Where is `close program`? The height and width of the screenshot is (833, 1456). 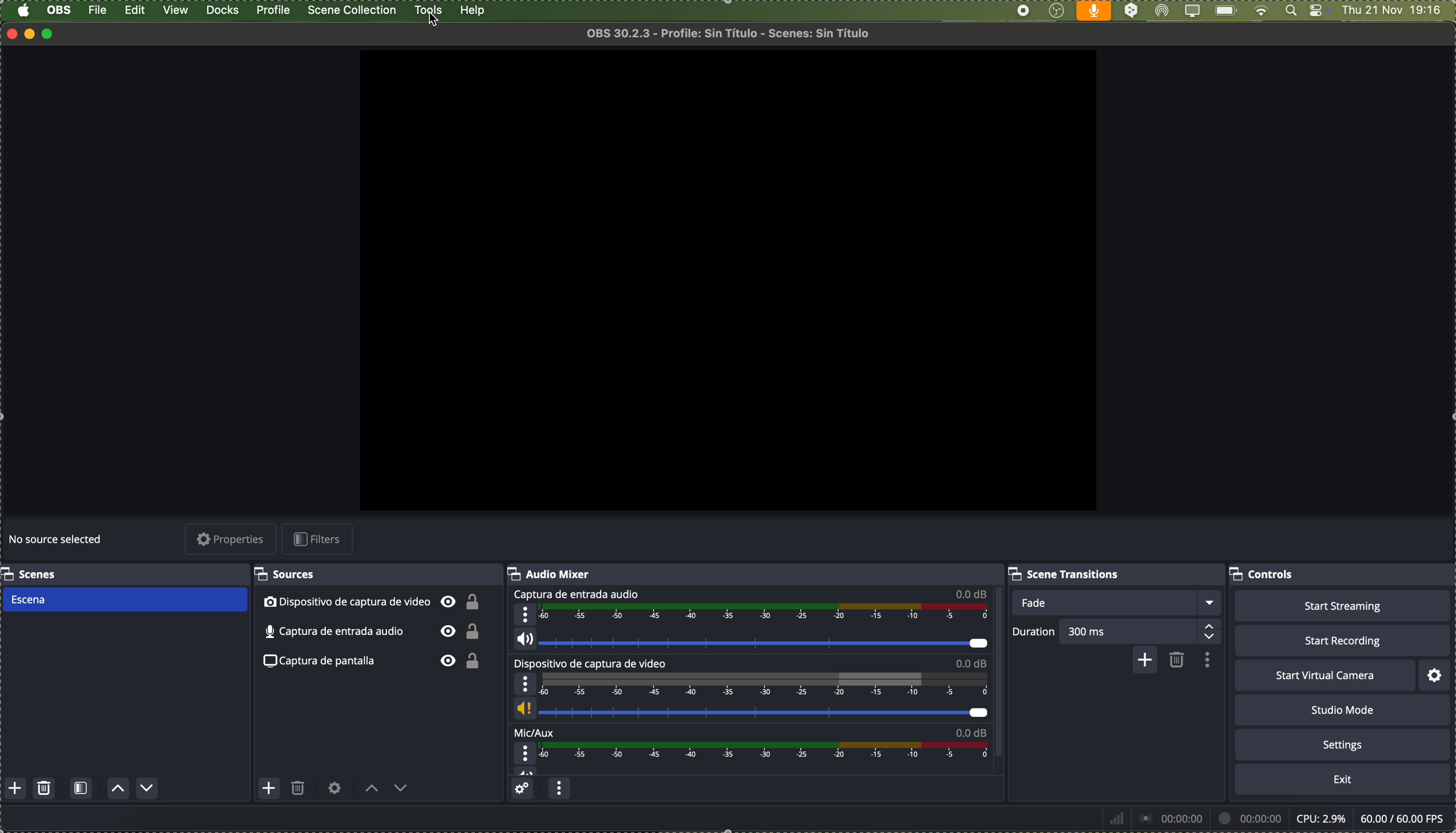 close program is located at coordinates (9, 33).